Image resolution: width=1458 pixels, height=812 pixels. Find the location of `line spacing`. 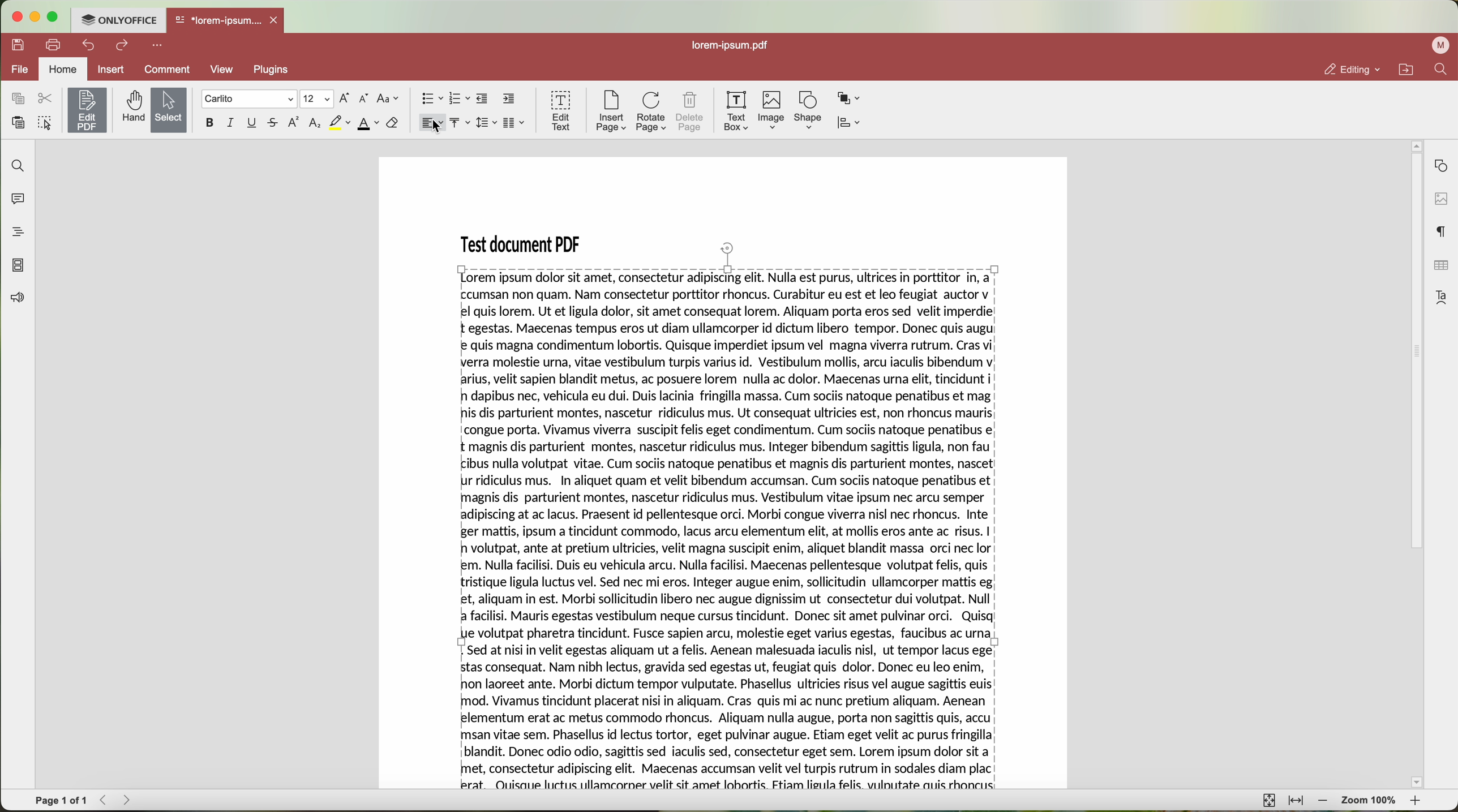

line spacing is located at coordinates (486, 123).